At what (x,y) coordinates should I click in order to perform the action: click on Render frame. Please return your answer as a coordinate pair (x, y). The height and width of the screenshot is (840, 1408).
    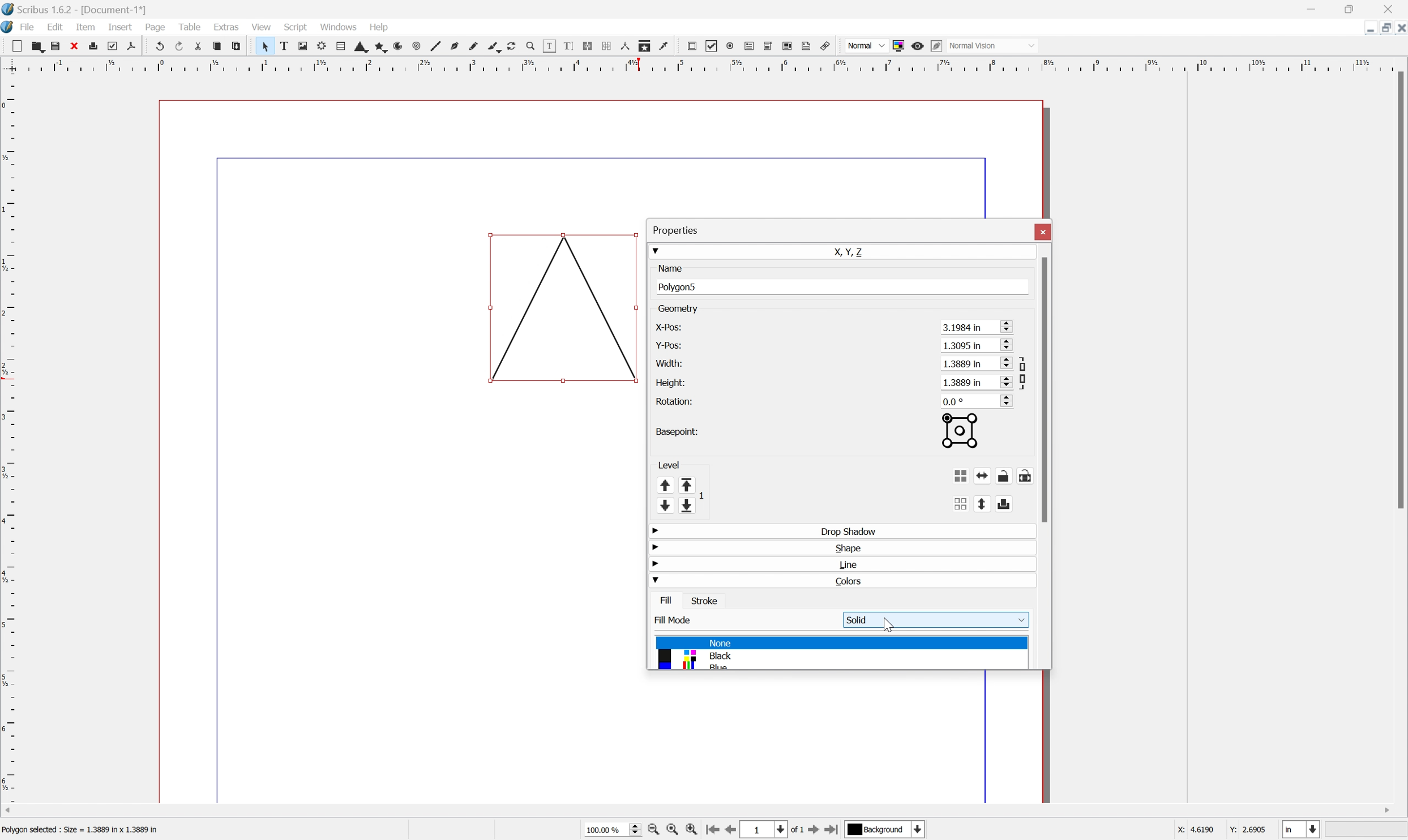
    Looking at the image, I should click on (322, 47).